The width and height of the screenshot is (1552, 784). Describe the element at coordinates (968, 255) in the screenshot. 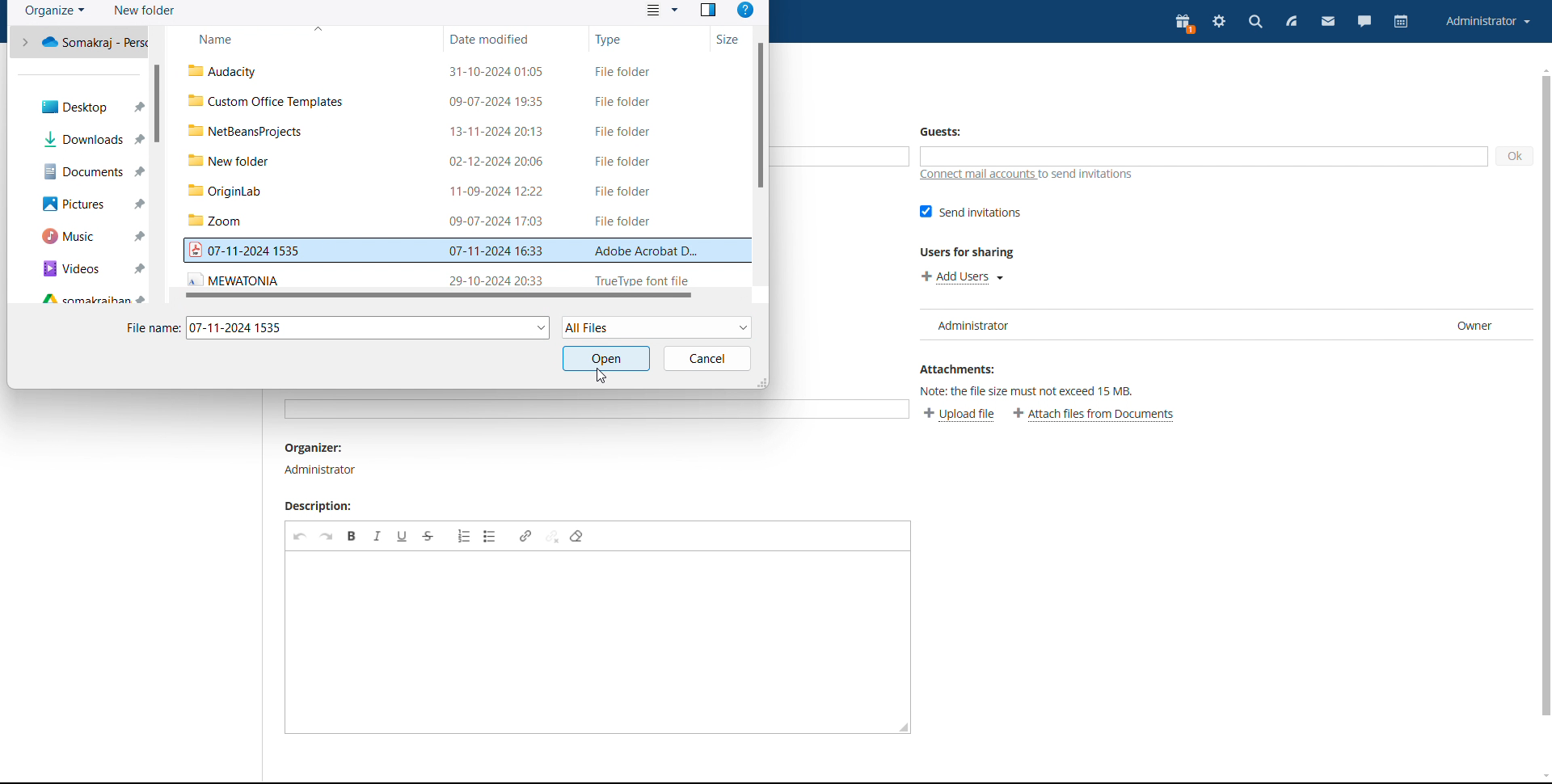

I see `users for sharing ` at that location.